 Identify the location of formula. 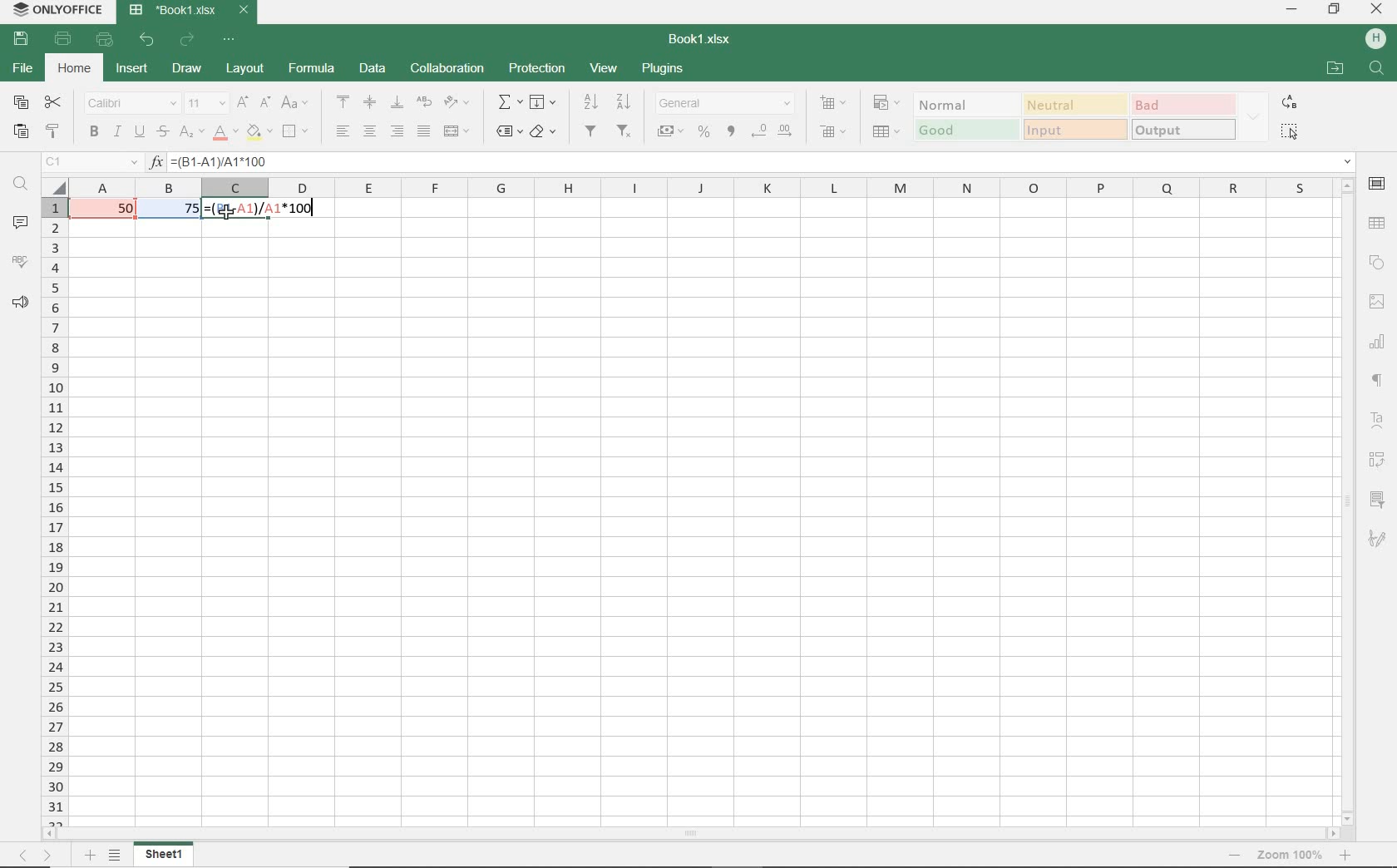
(264, 210).